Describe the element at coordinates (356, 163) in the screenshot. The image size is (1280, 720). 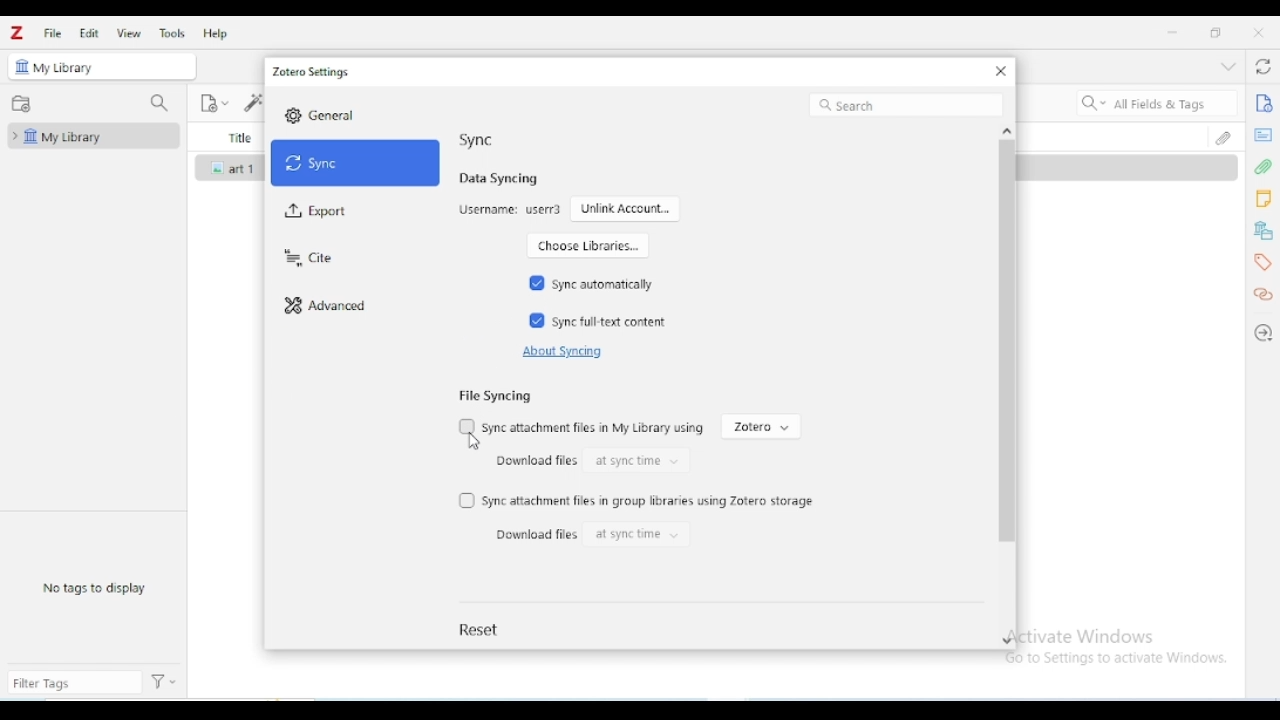
I see `sync` at that location.